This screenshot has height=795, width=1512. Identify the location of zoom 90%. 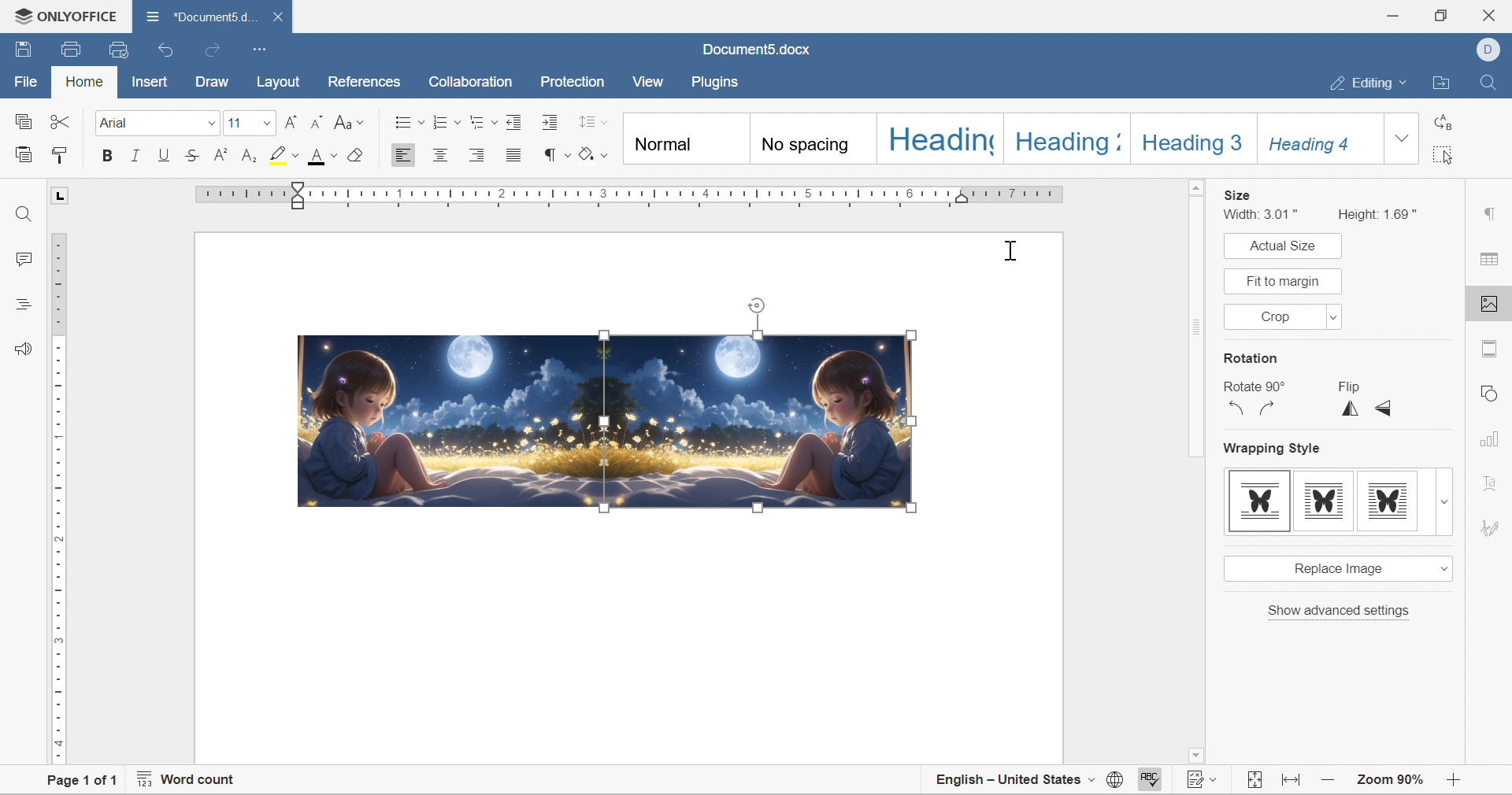
(1392, 780).